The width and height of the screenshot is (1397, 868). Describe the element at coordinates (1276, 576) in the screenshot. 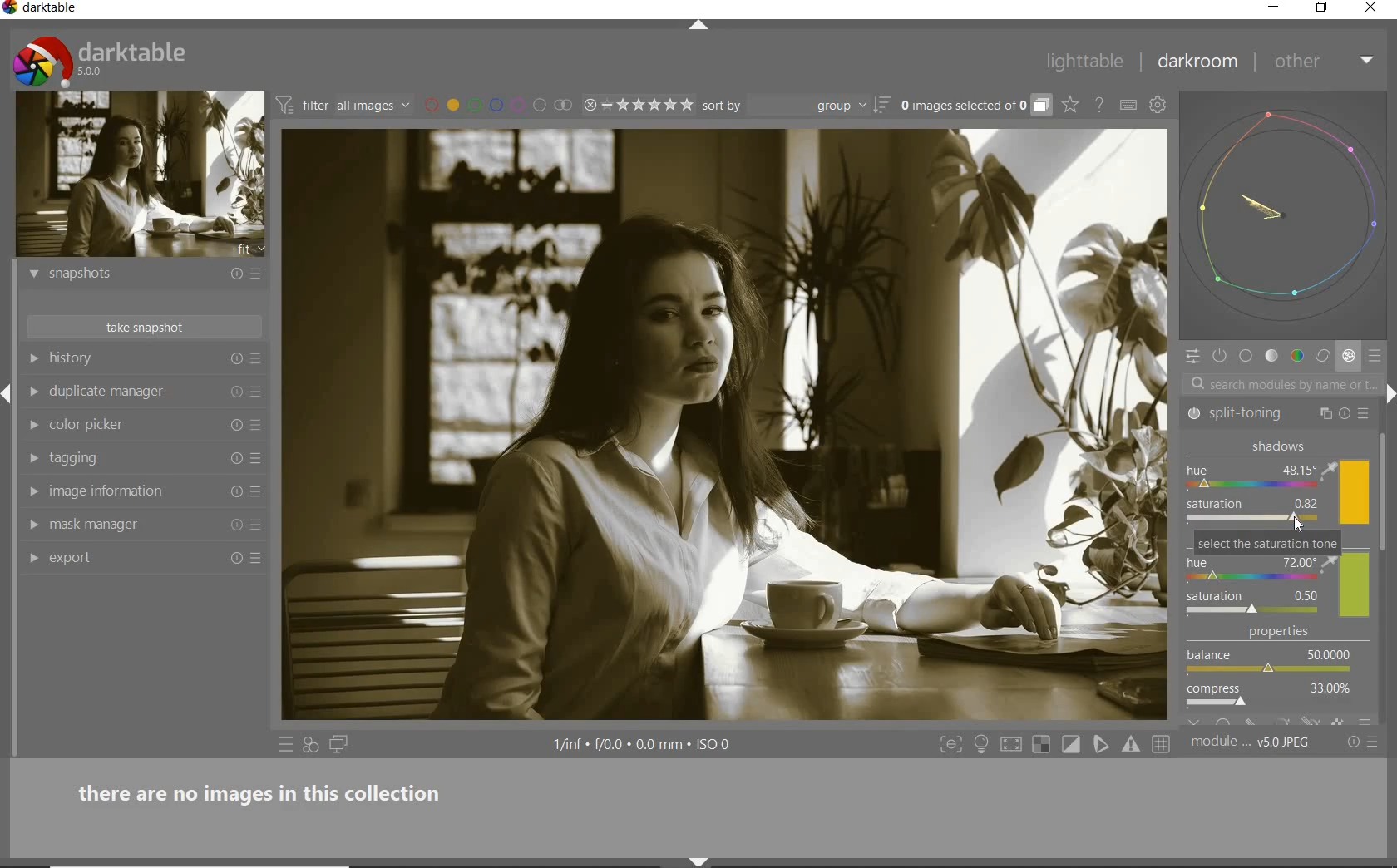

I see `highlights` at that location.